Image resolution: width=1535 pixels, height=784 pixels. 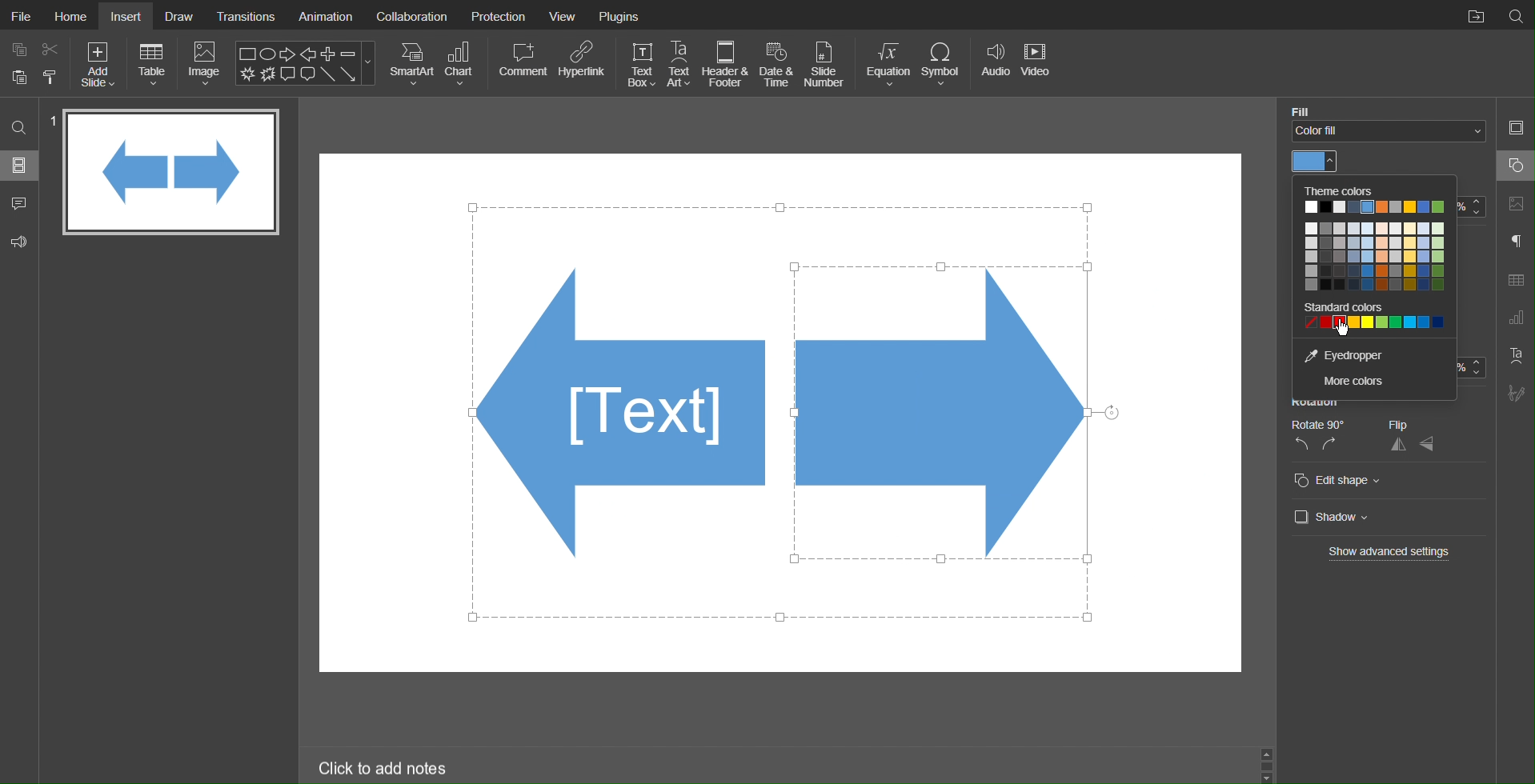 What do you see at coordinates (1516, 319) in the screenshot?
I see `Chart Settings` at bounding box center [1516, 319].